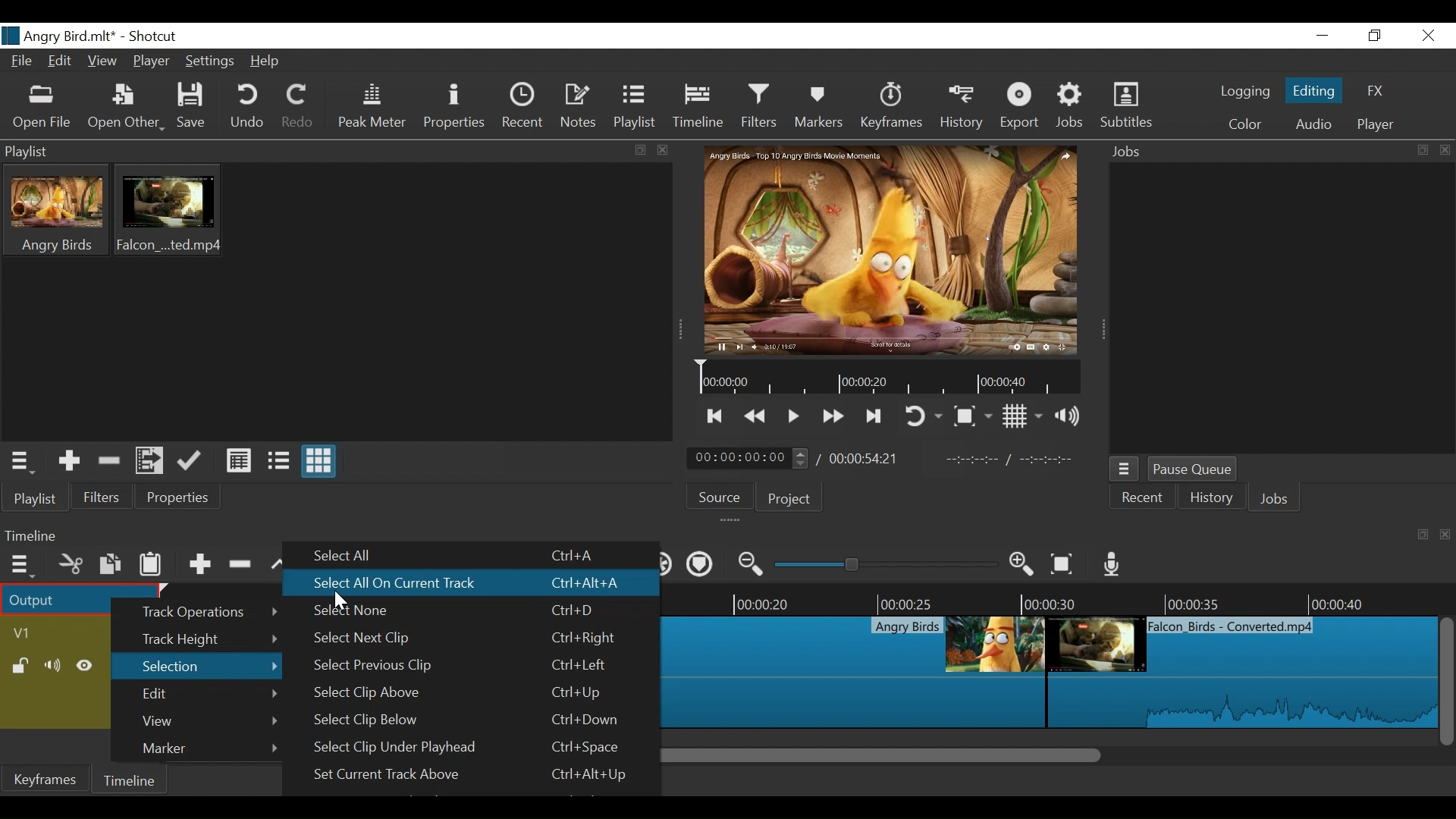 The width and height of the screenshot is (1456, 819). I want to click on History, so click(962, 107).